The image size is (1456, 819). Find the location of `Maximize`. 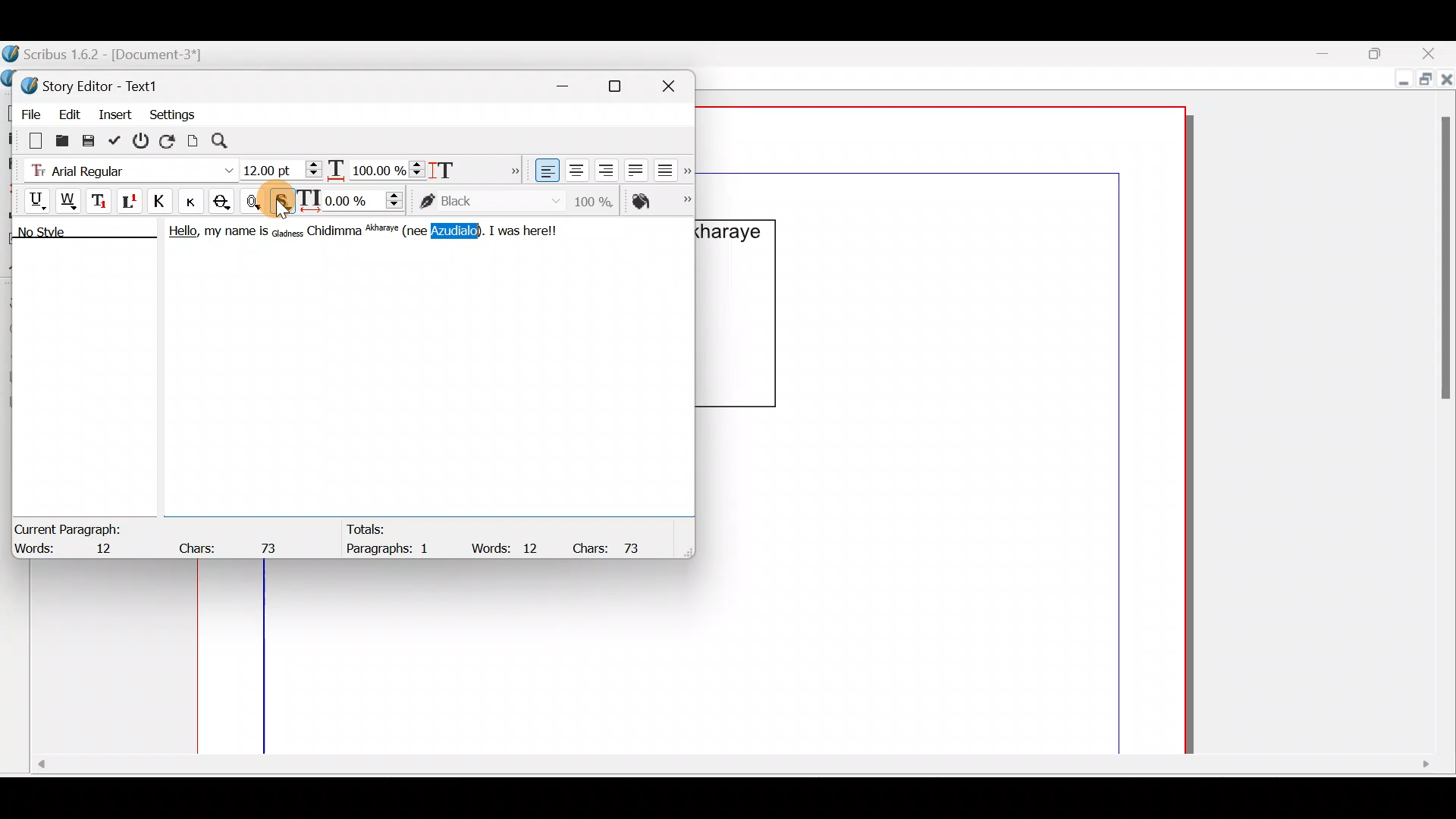

Maximize is located at coordinates (1384, 52).